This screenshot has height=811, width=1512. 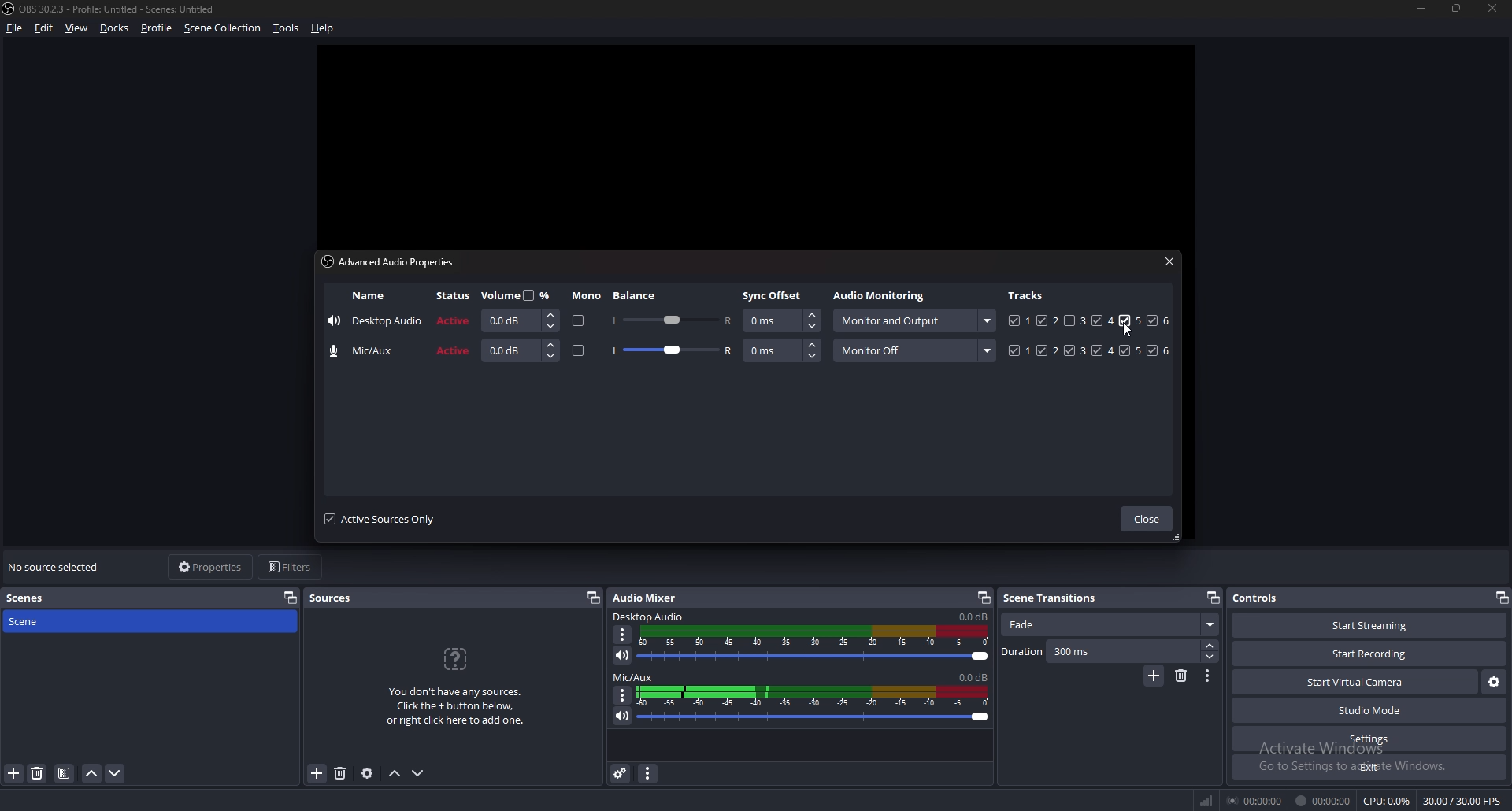 I want to click on desktop audio, so click(x=650, y=617).